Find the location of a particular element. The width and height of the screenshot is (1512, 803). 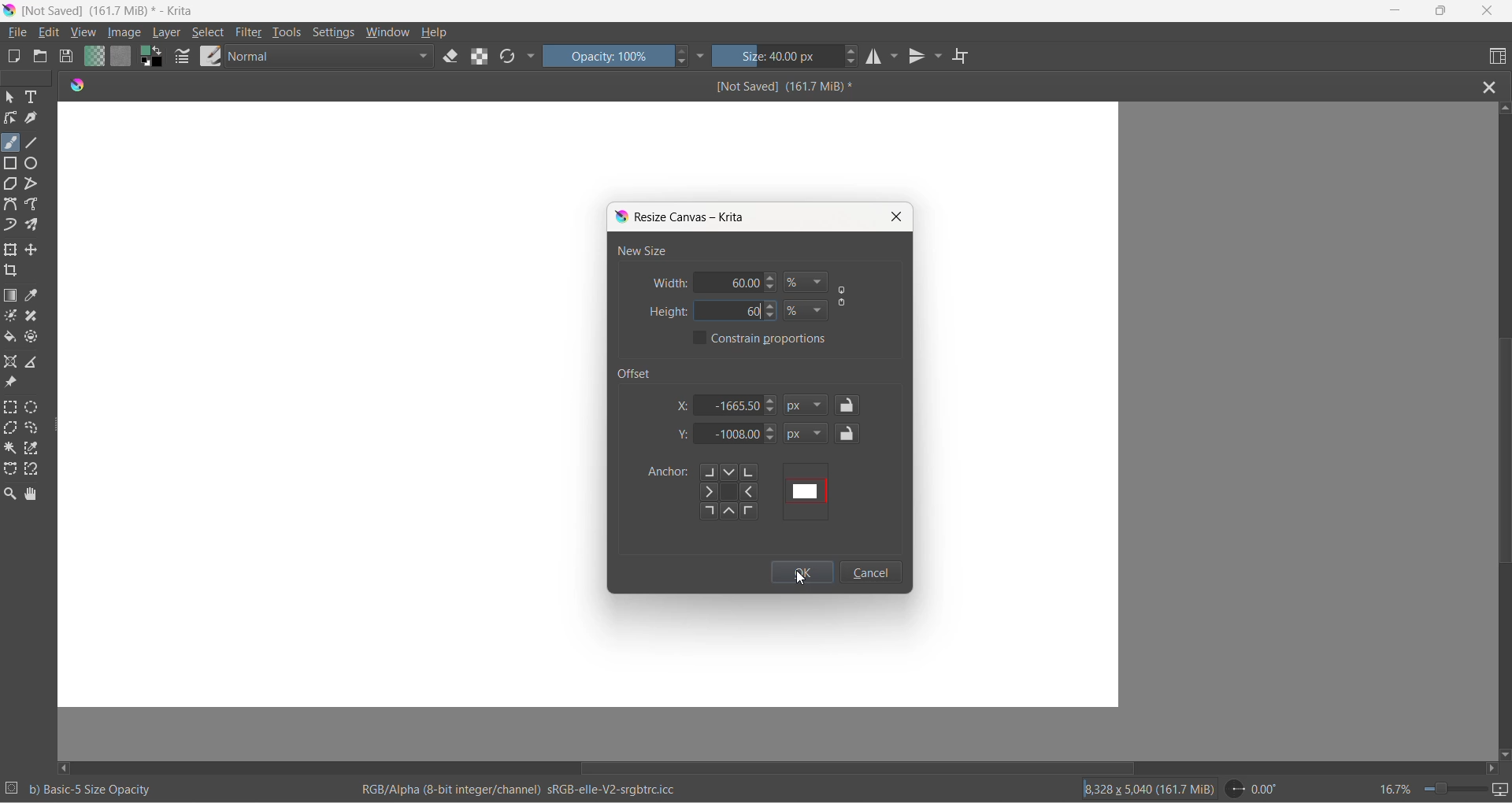

move a layer is located at coordinates (34, 250).